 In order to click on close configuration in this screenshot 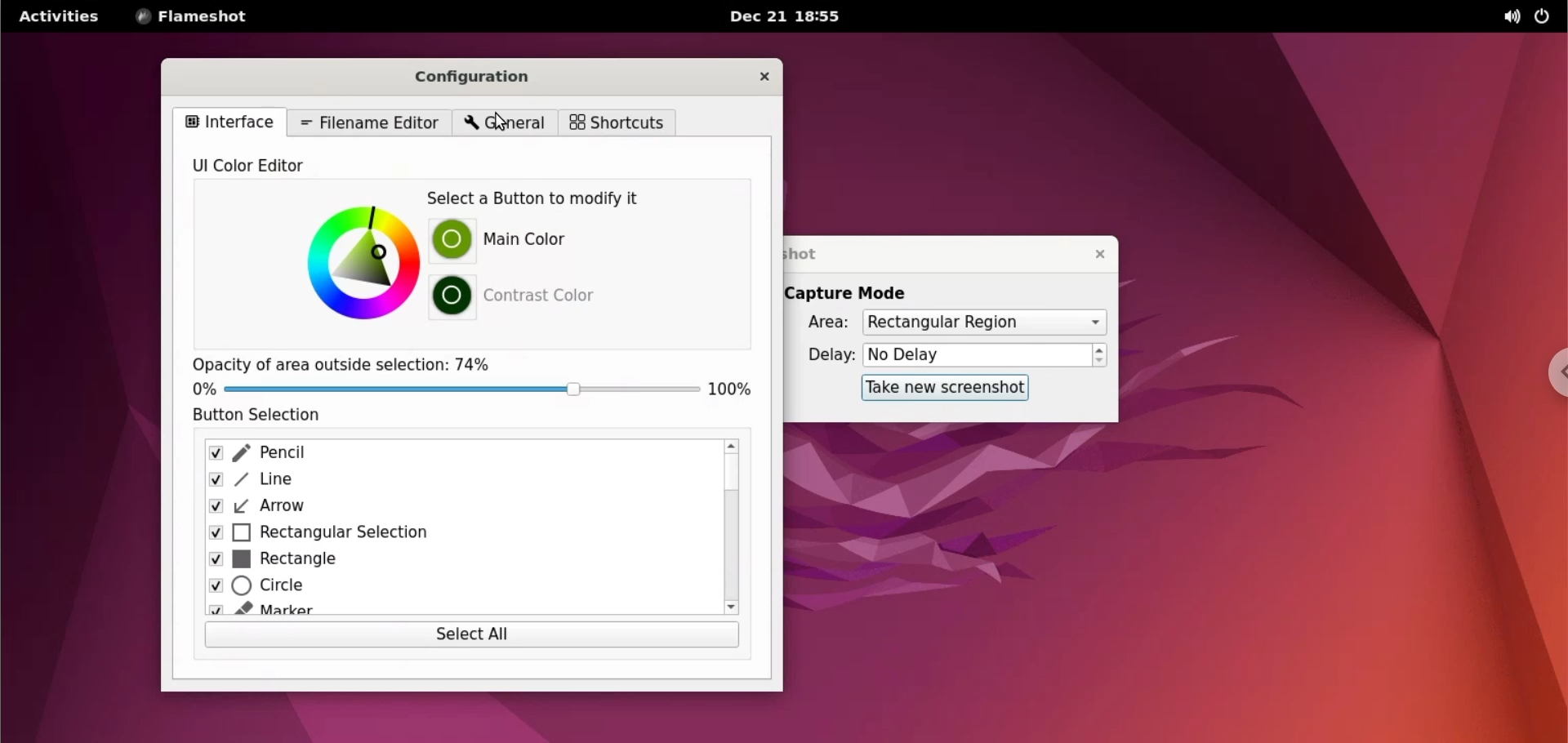, I will do `click(763, 78)`.